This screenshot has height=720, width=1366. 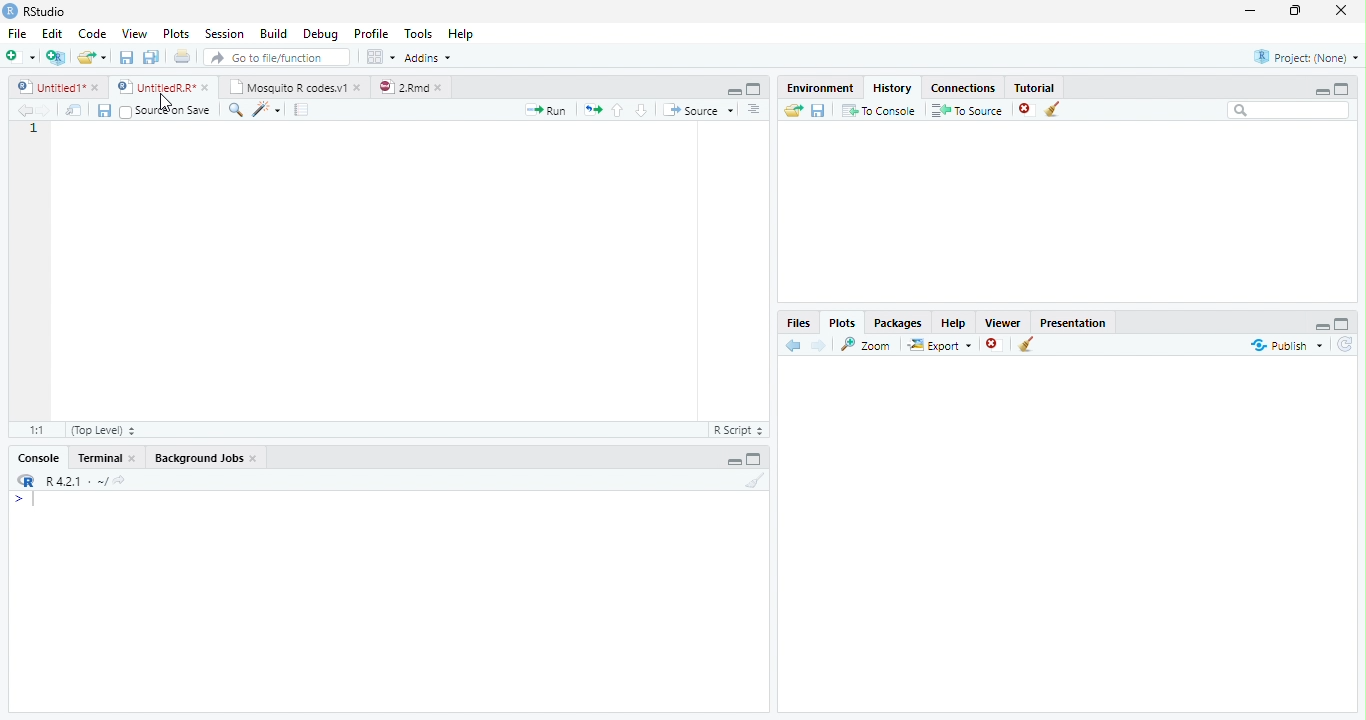 I want to click on Next Source Location, so click(x=45, y=109).